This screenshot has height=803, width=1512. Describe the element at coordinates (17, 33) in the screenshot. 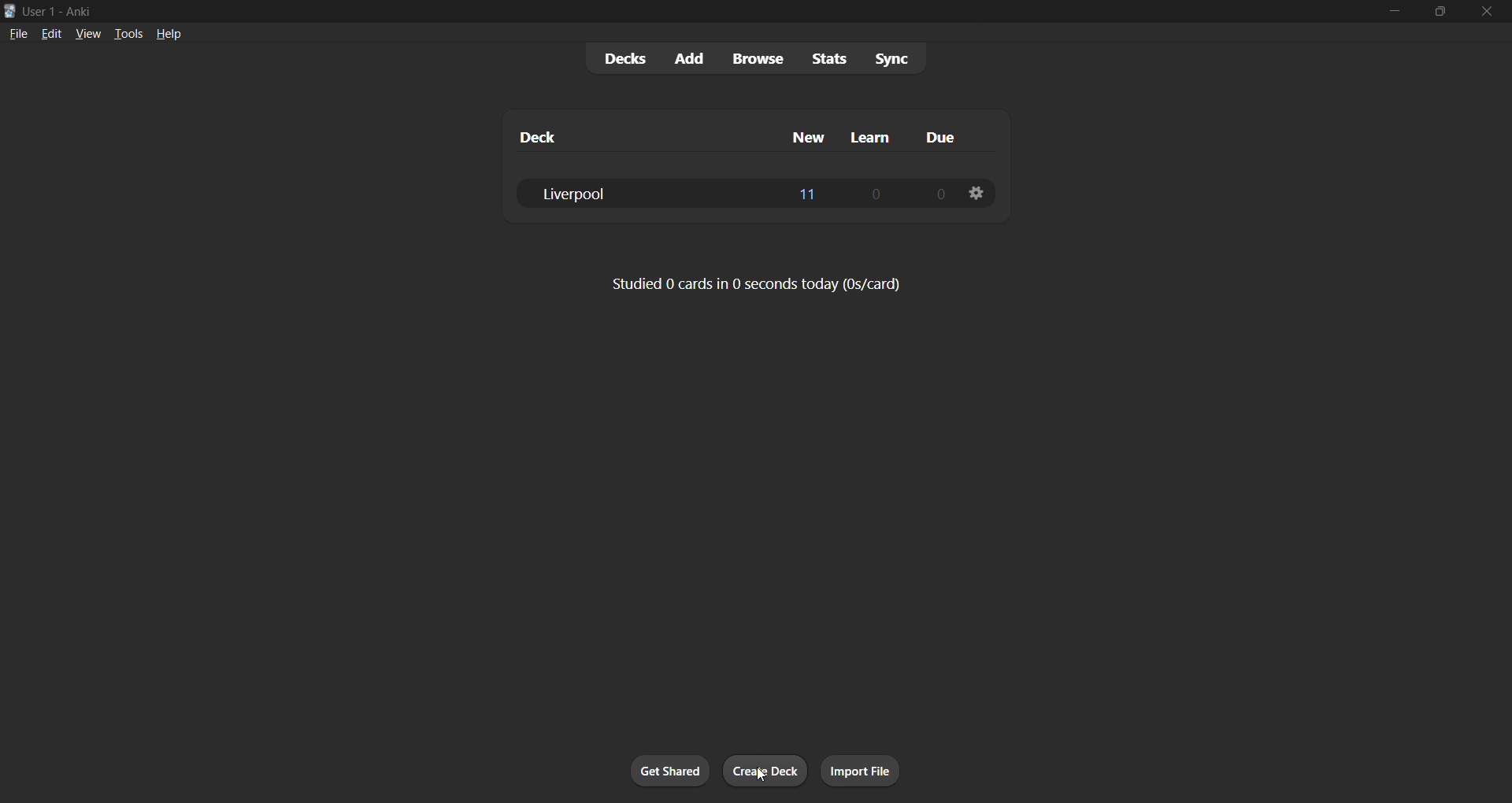

I see `file` at that location.